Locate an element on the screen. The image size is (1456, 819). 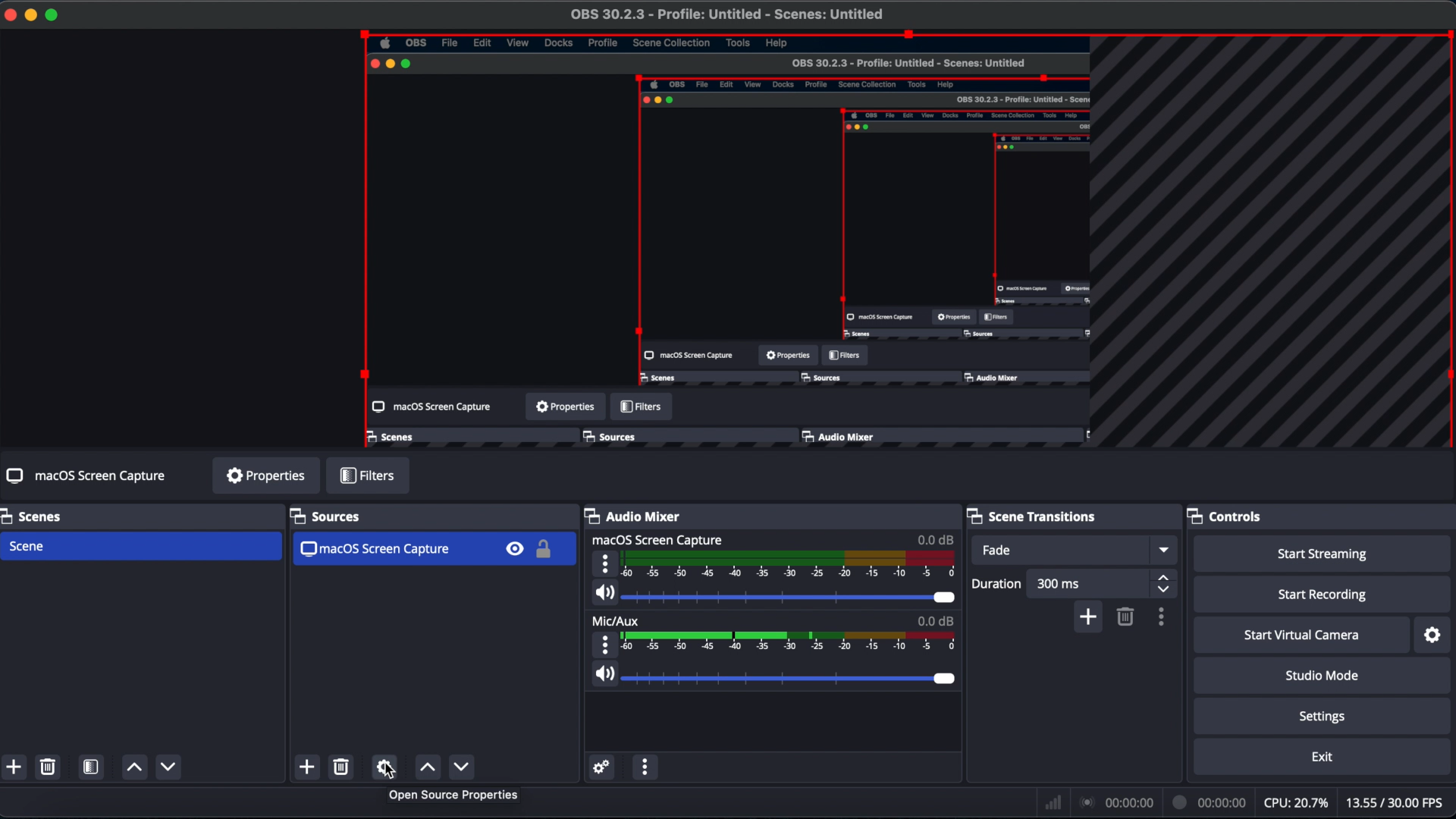
mic properties is located at coordinates (604, 642).